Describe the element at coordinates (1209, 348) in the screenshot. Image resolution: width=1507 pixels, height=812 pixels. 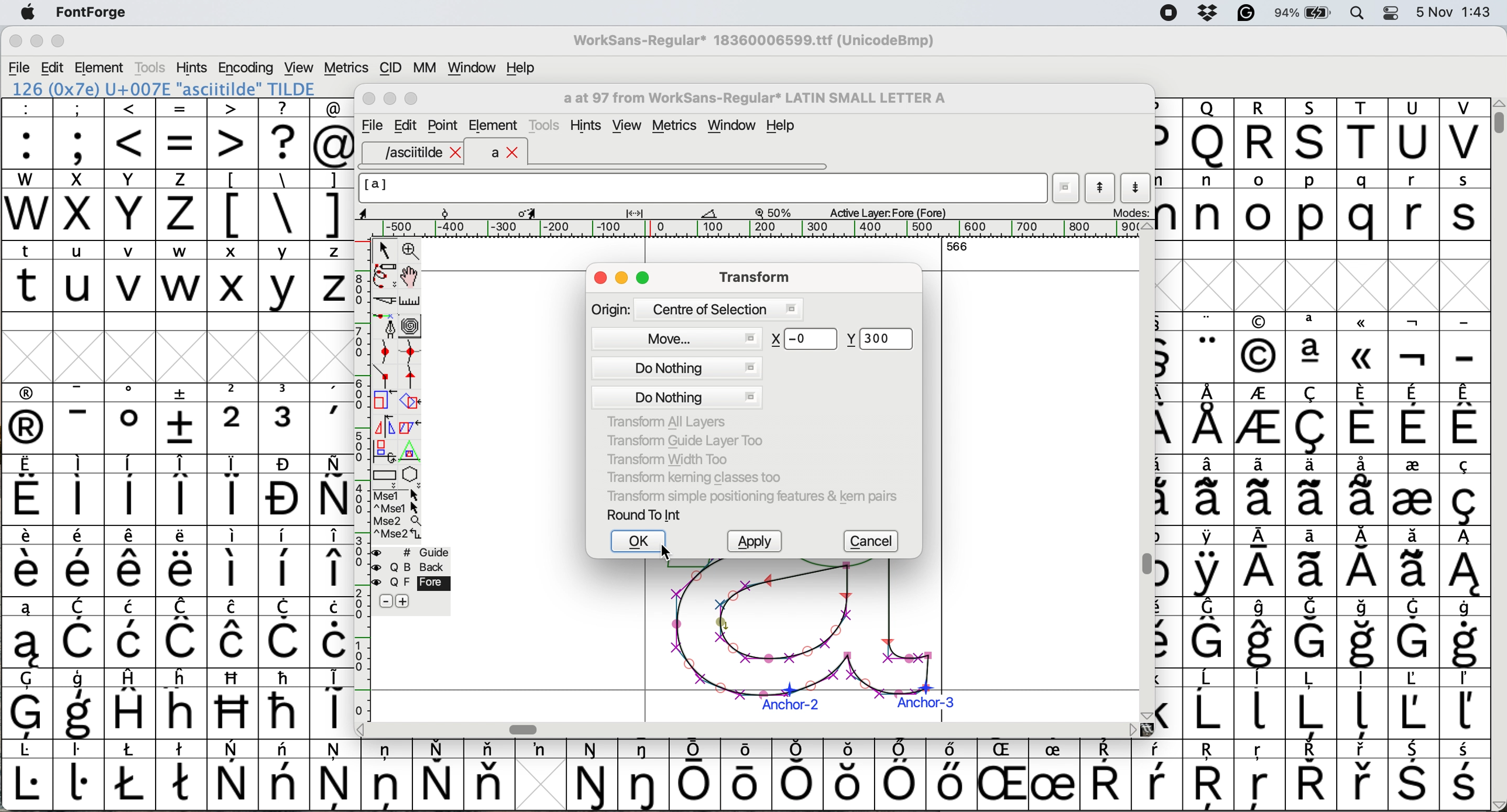
I see `symbol` at that location.